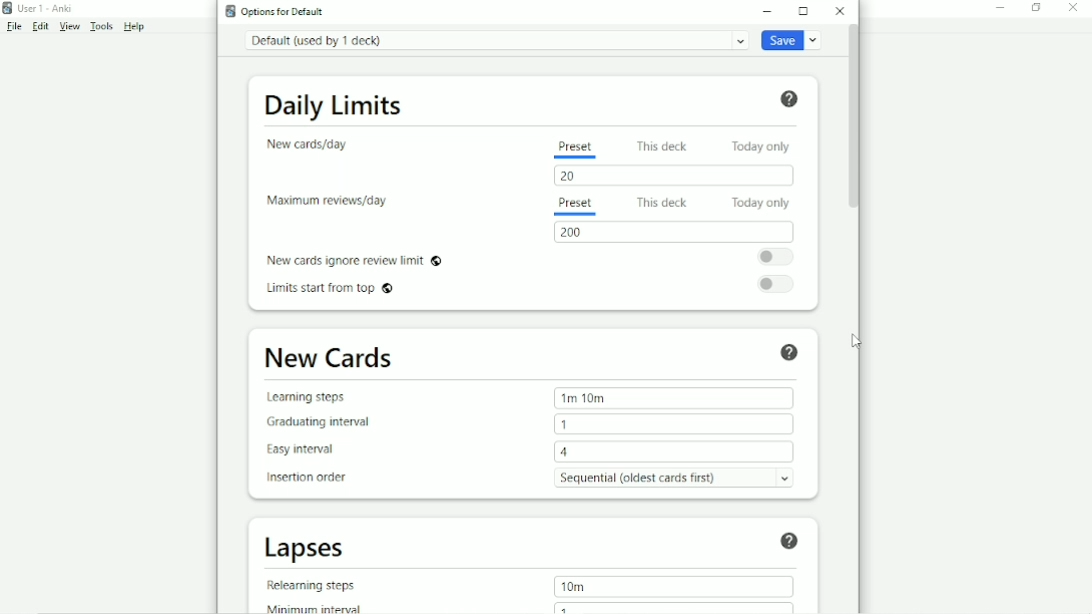  I want to click on Help, so click(792, 540).